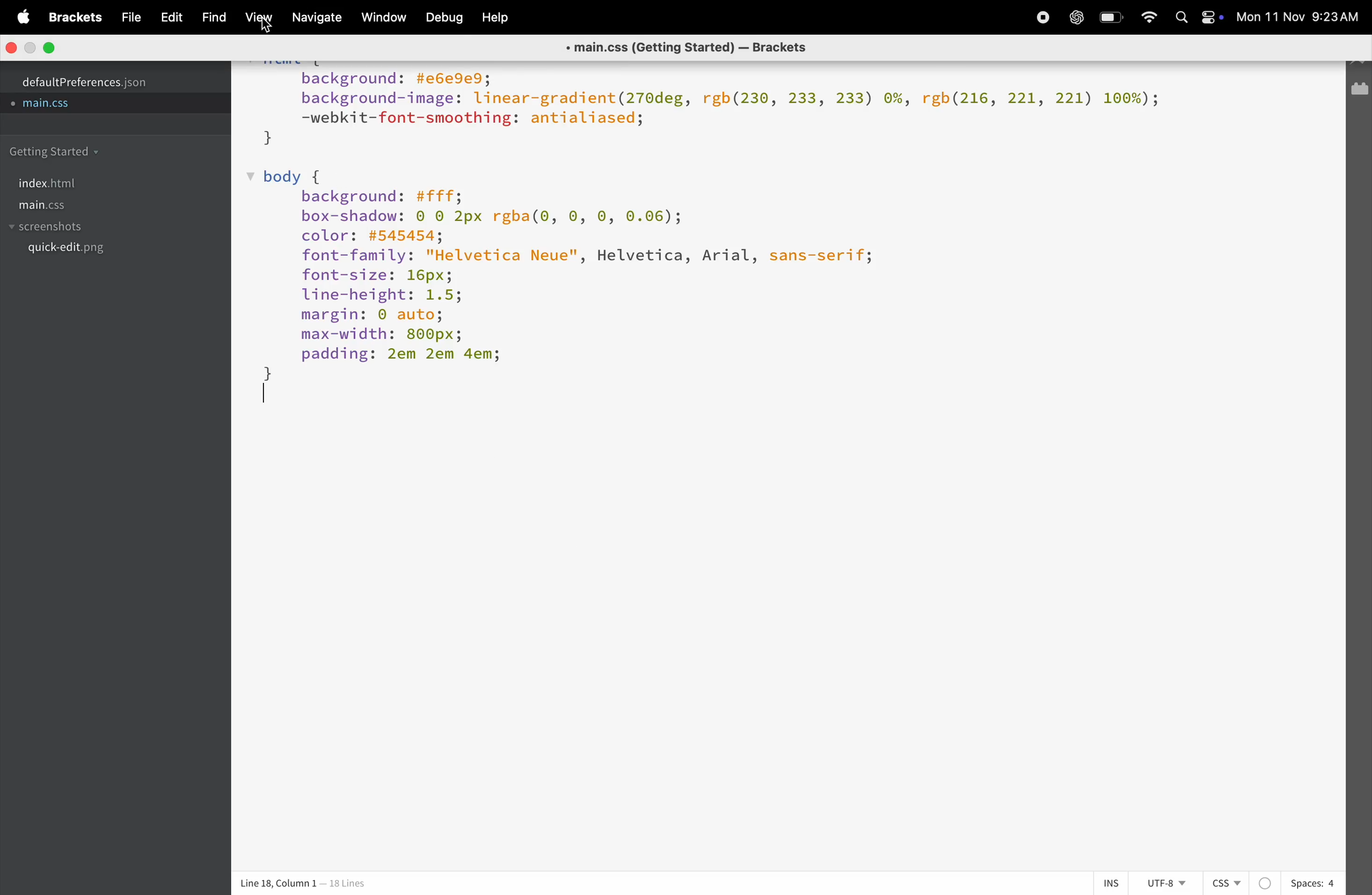 The height and width of the screenshot is (895, 1372). What do you see at coordinates (63, 205) in the screenshot?
I see `main.css` at bounding box center [63, 205].